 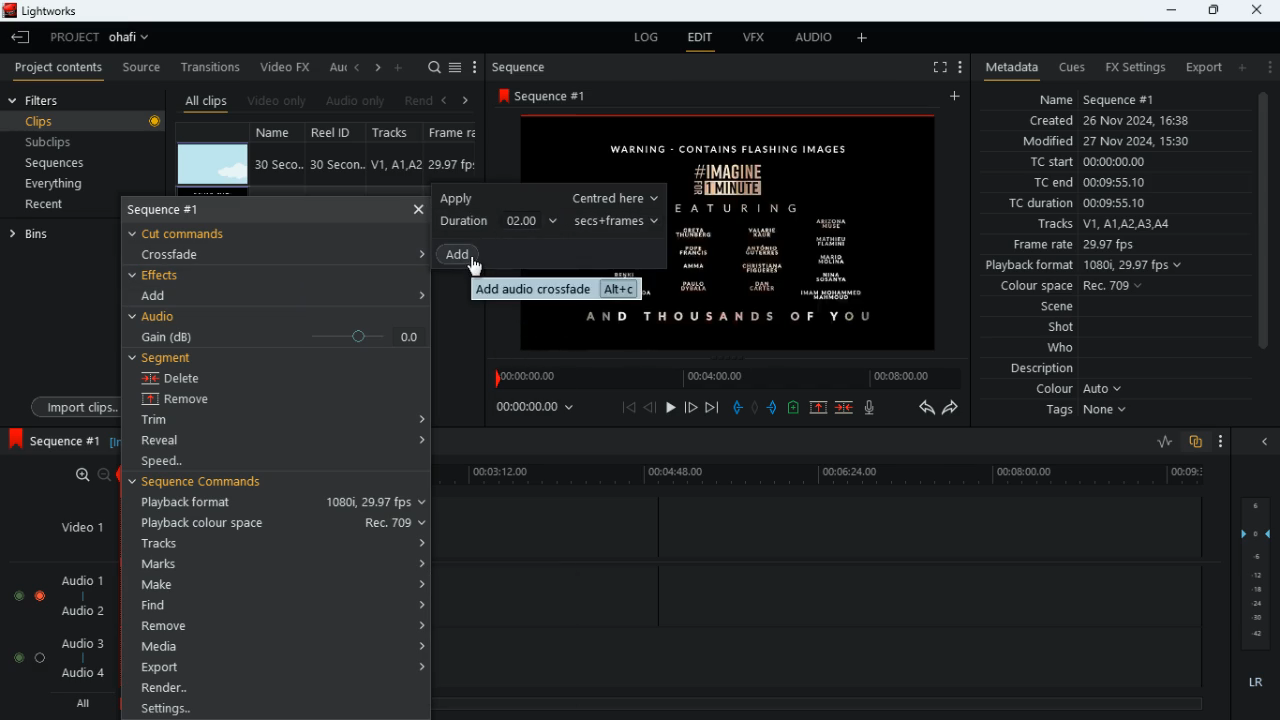 I want to click on sequence, so click(x=525, y=67).